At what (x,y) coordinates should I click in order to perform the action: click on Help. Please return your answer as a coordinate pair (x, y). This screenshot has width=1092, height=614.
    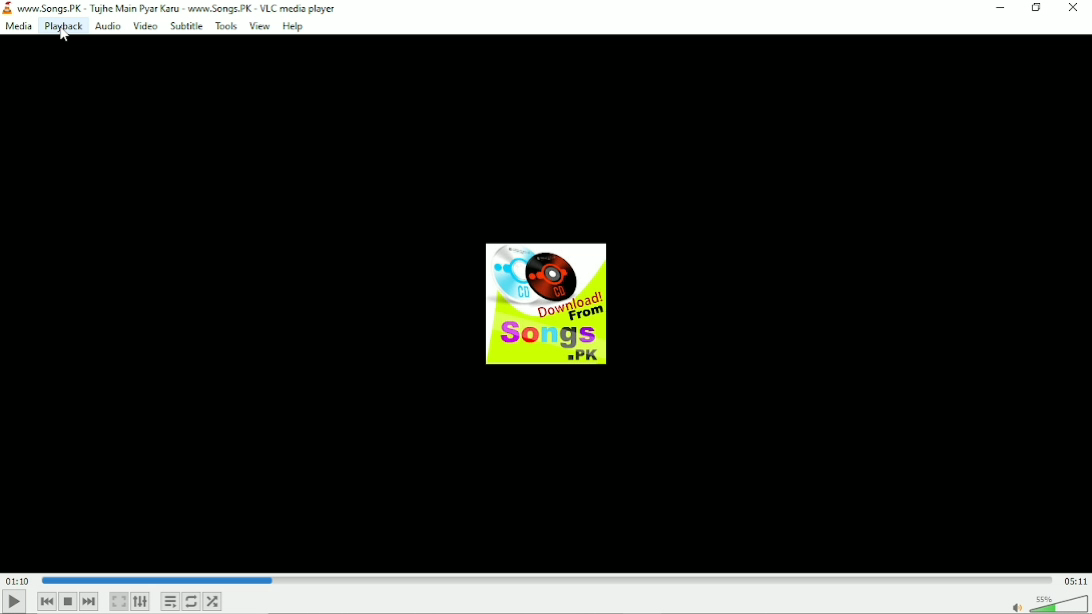
    Looking at the image, I should click on (295, 27).